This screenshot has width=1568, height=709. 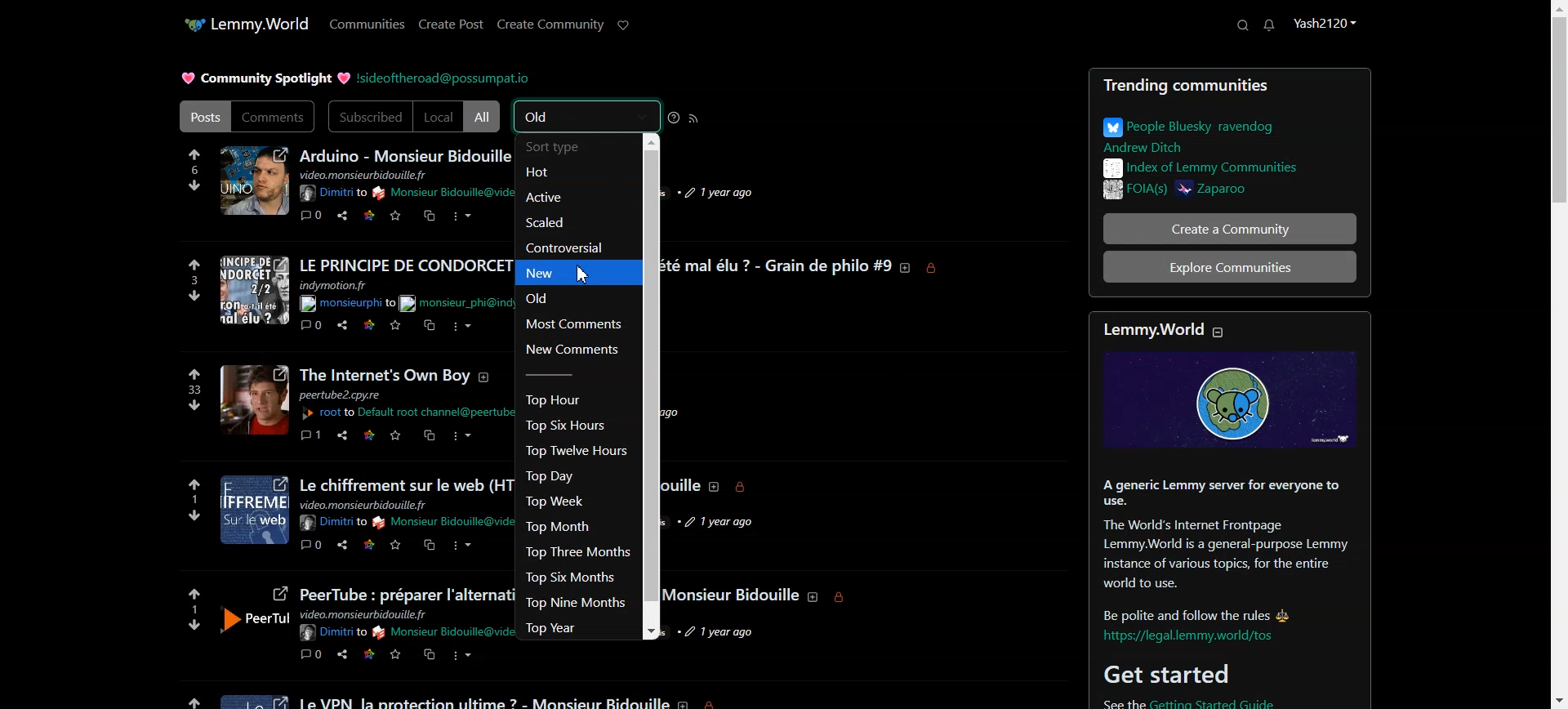 What do you see at coordinates (688, 702) in the screenshot?
I see `about` at bounding box center [688, 702].